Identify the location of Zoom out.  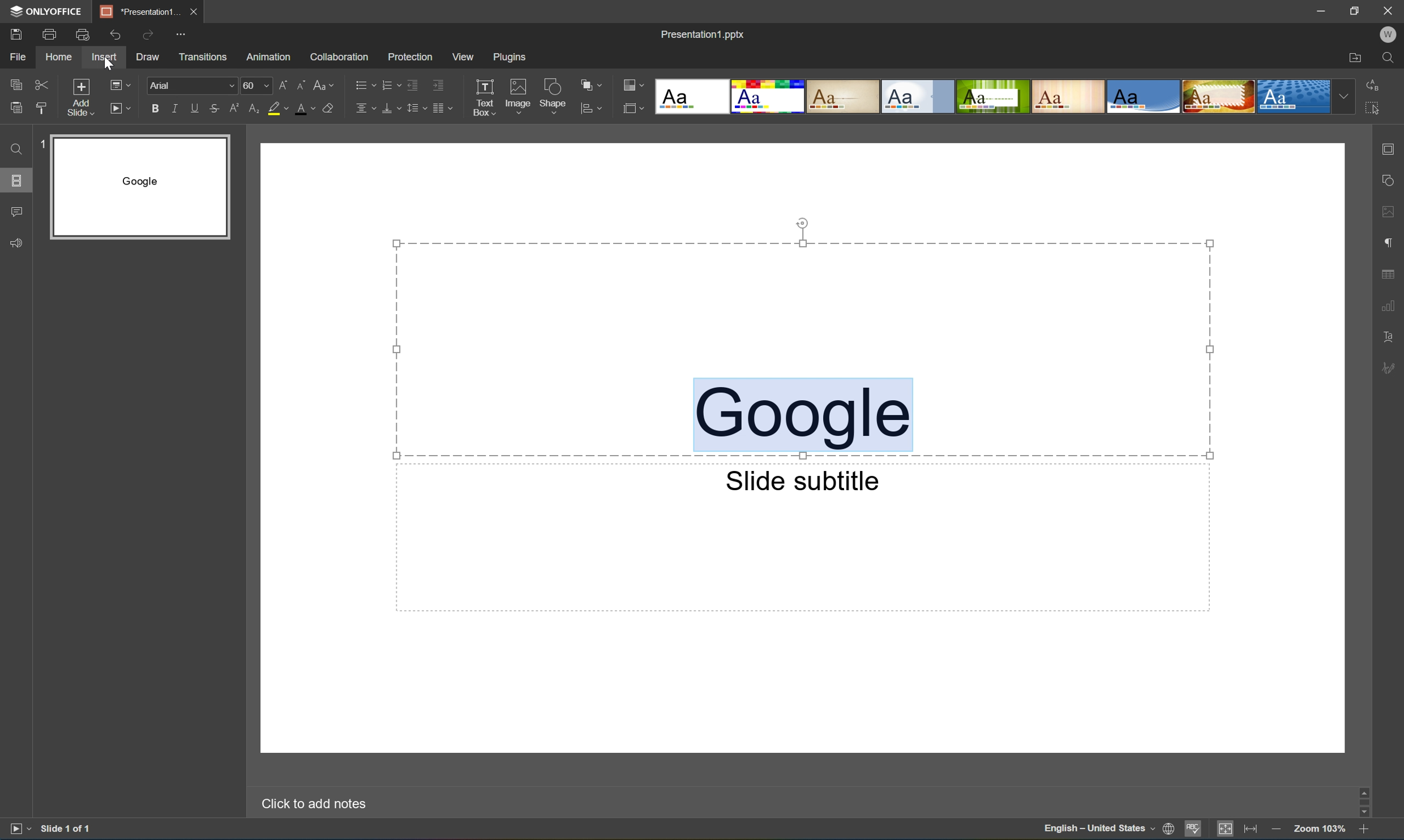
(1279, 830).